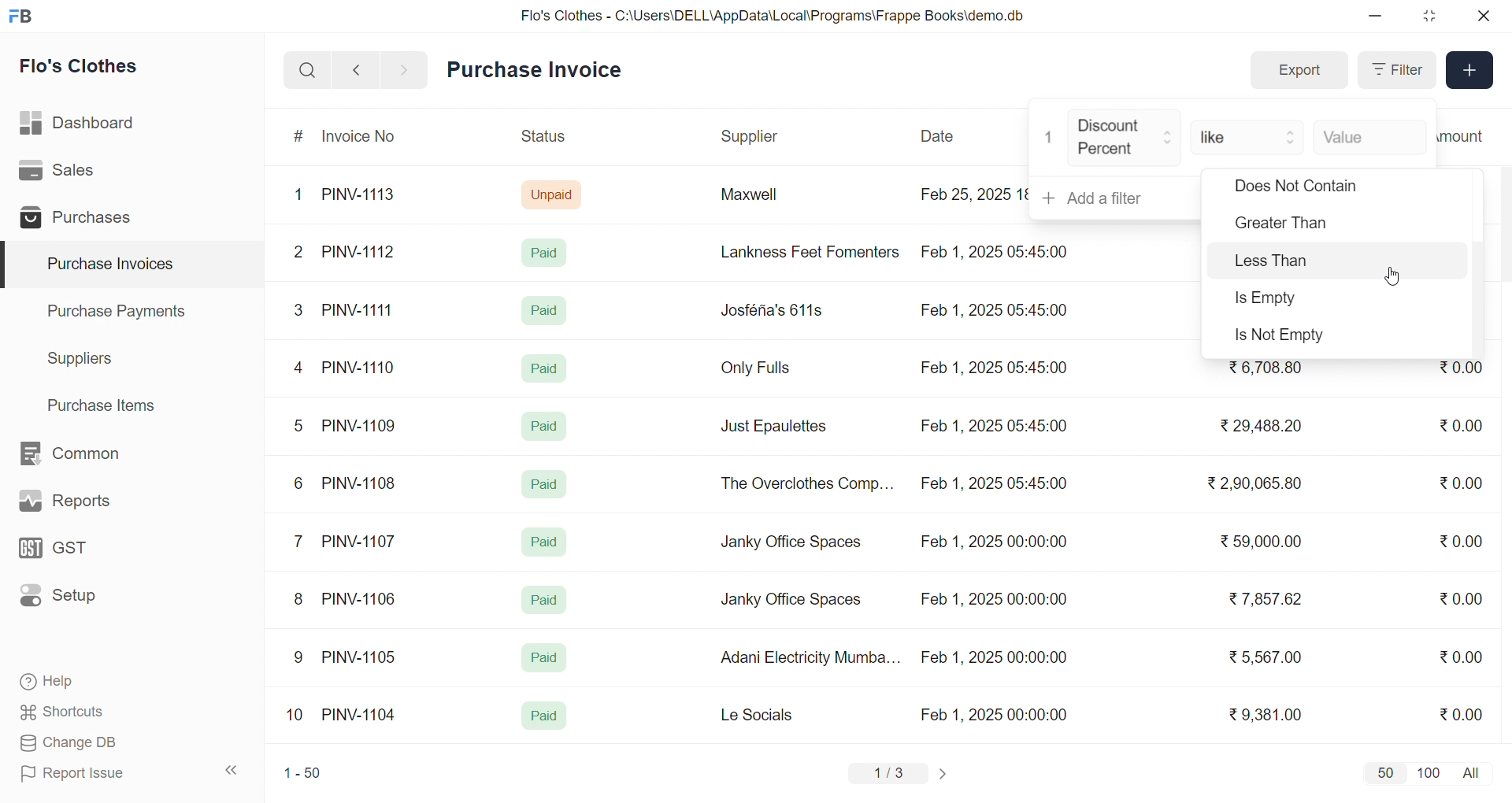 The image size is (1512, 803). Describe the element at coordinates (1461, 713) in the screenshot. I see `₹0.00` at that location.